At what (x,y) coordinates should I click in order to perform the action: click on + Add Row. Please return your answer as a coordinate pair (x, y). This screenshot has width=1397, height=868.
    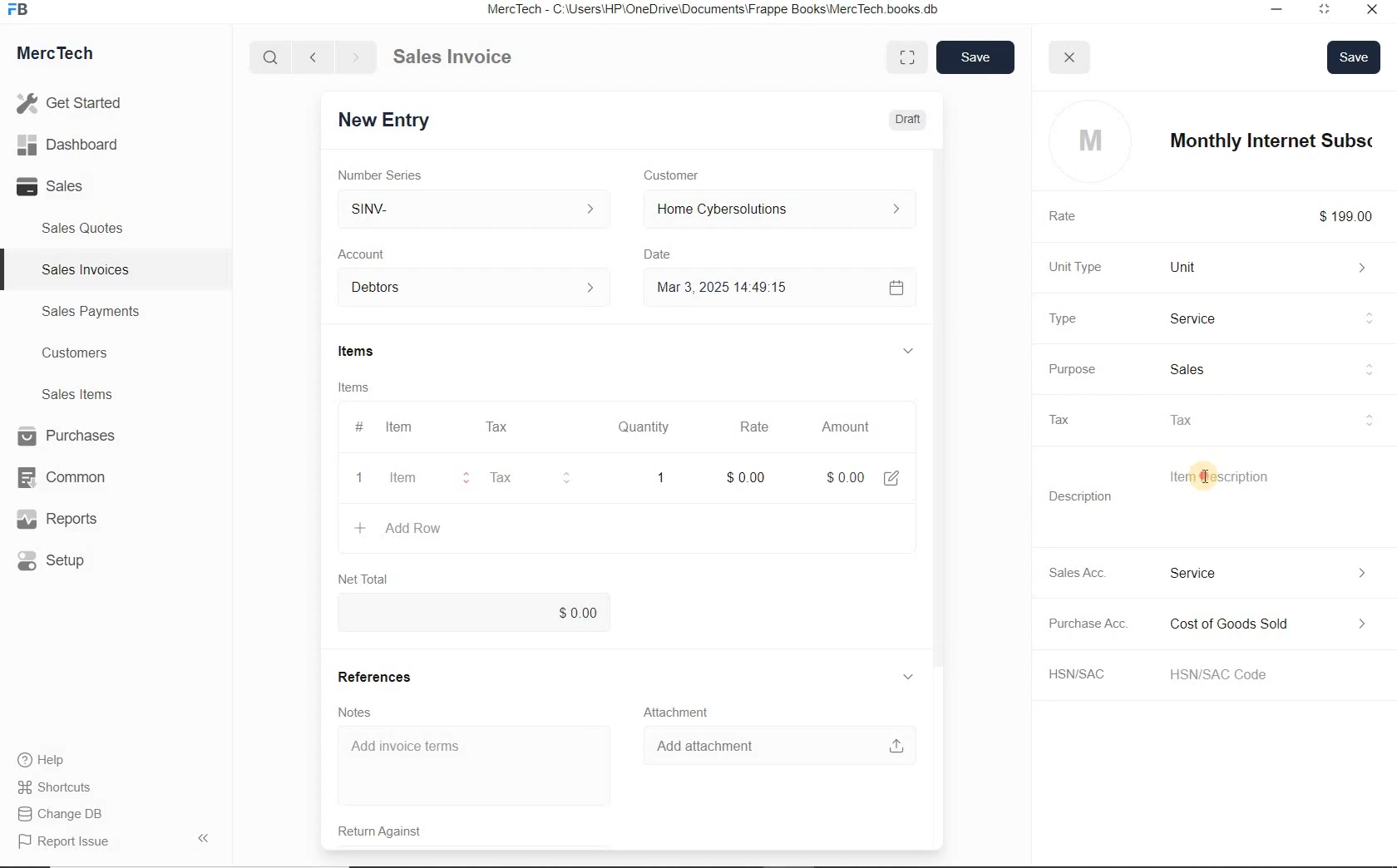
    Looking at the image, I should click on (417, 529).